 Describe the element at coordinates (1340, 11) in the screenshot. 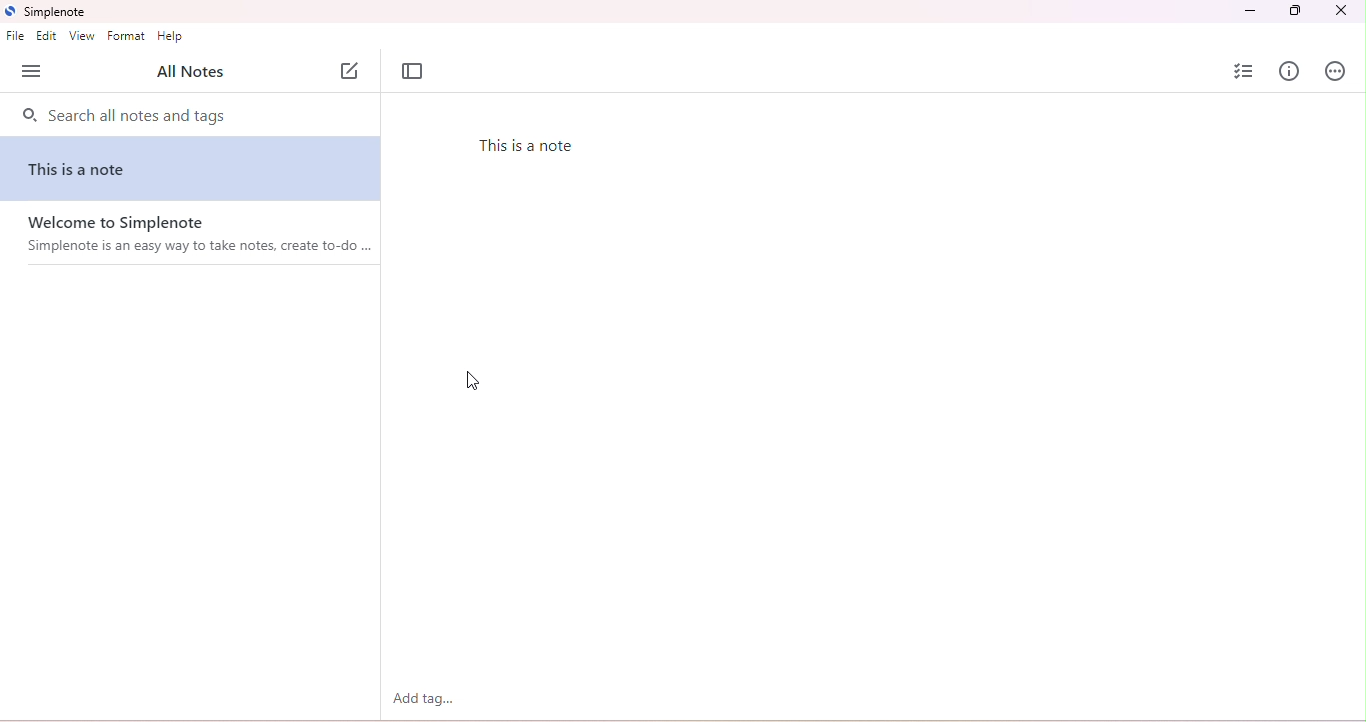

I see `close` at that location.